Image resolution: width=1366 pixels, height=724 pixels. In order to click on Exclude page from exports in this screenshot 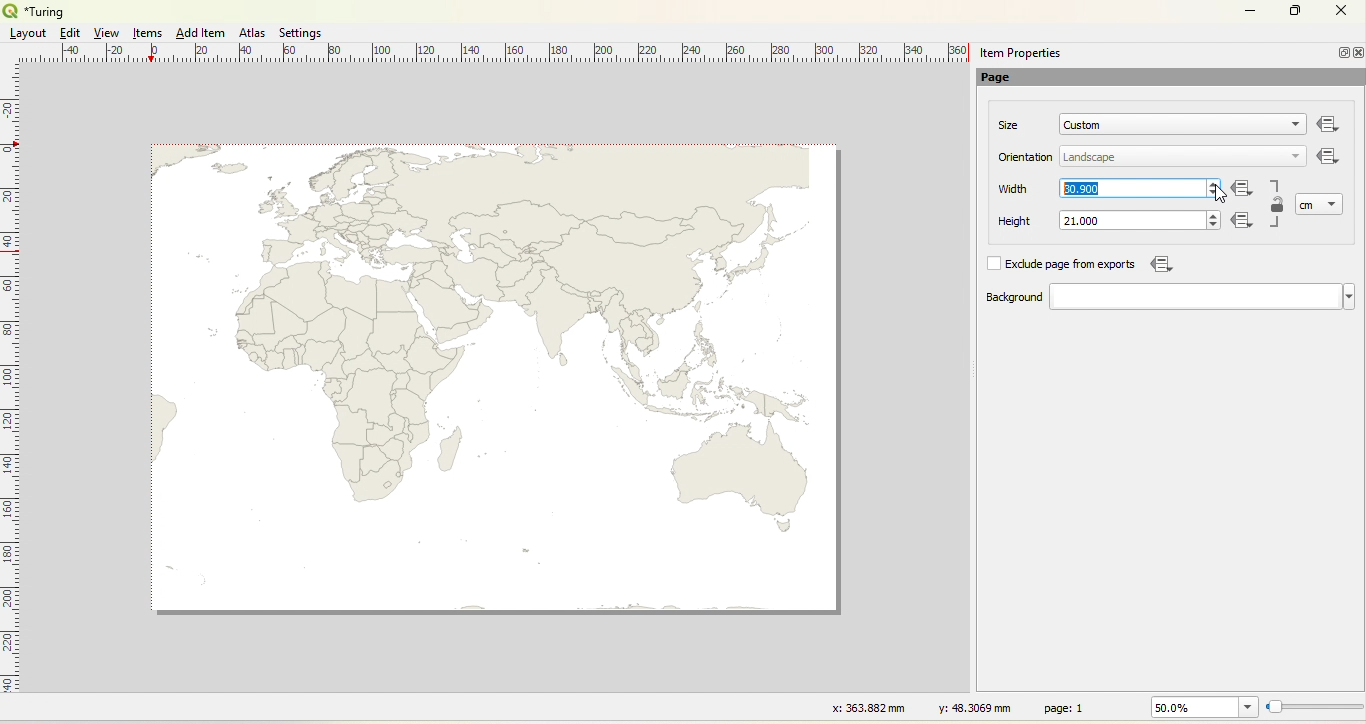, I will do `click(1074, 265)`.